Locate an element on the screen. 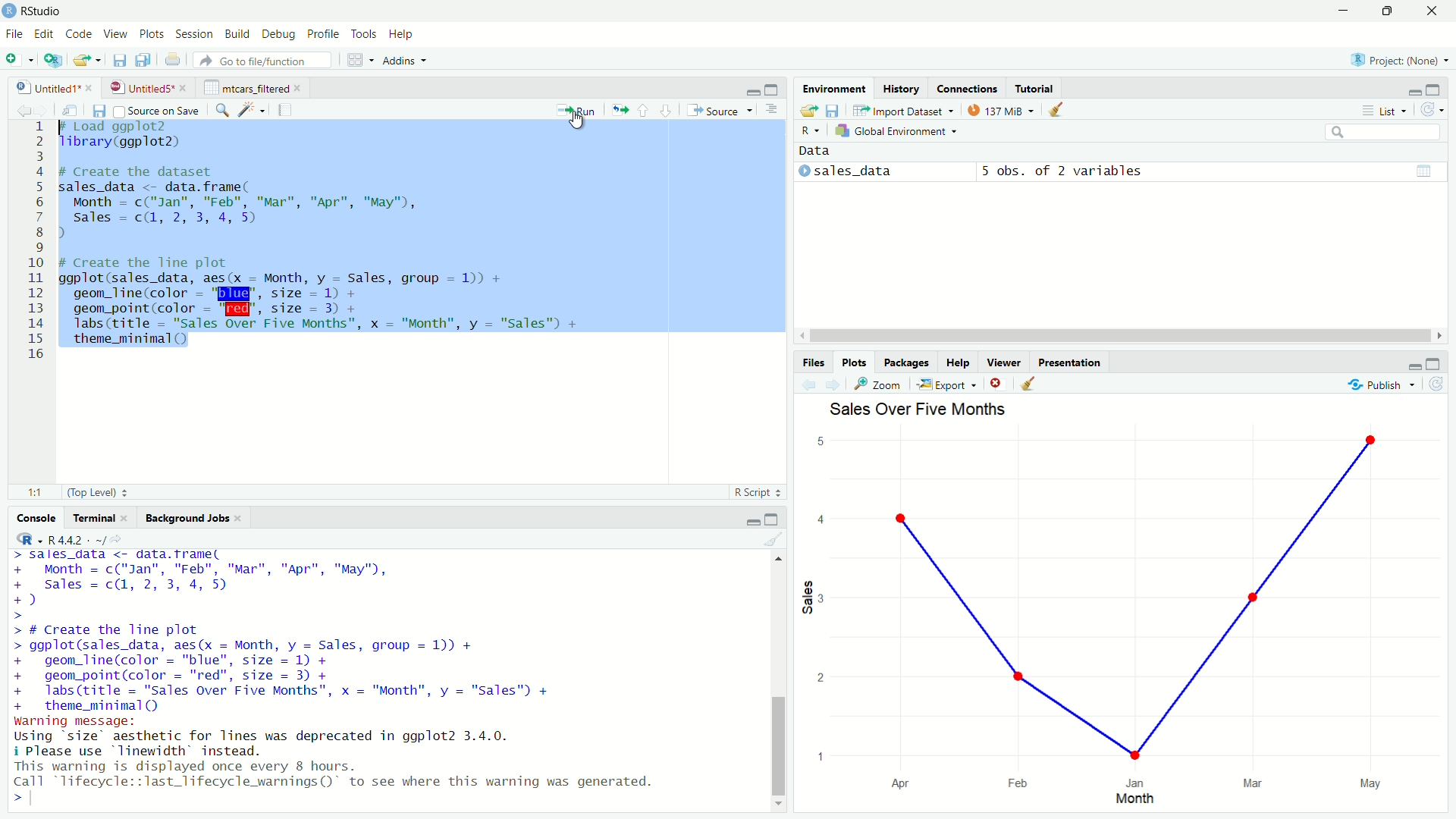 This screenshot has height=819, width=1456. search bar is located at coordinates (1382, 131).